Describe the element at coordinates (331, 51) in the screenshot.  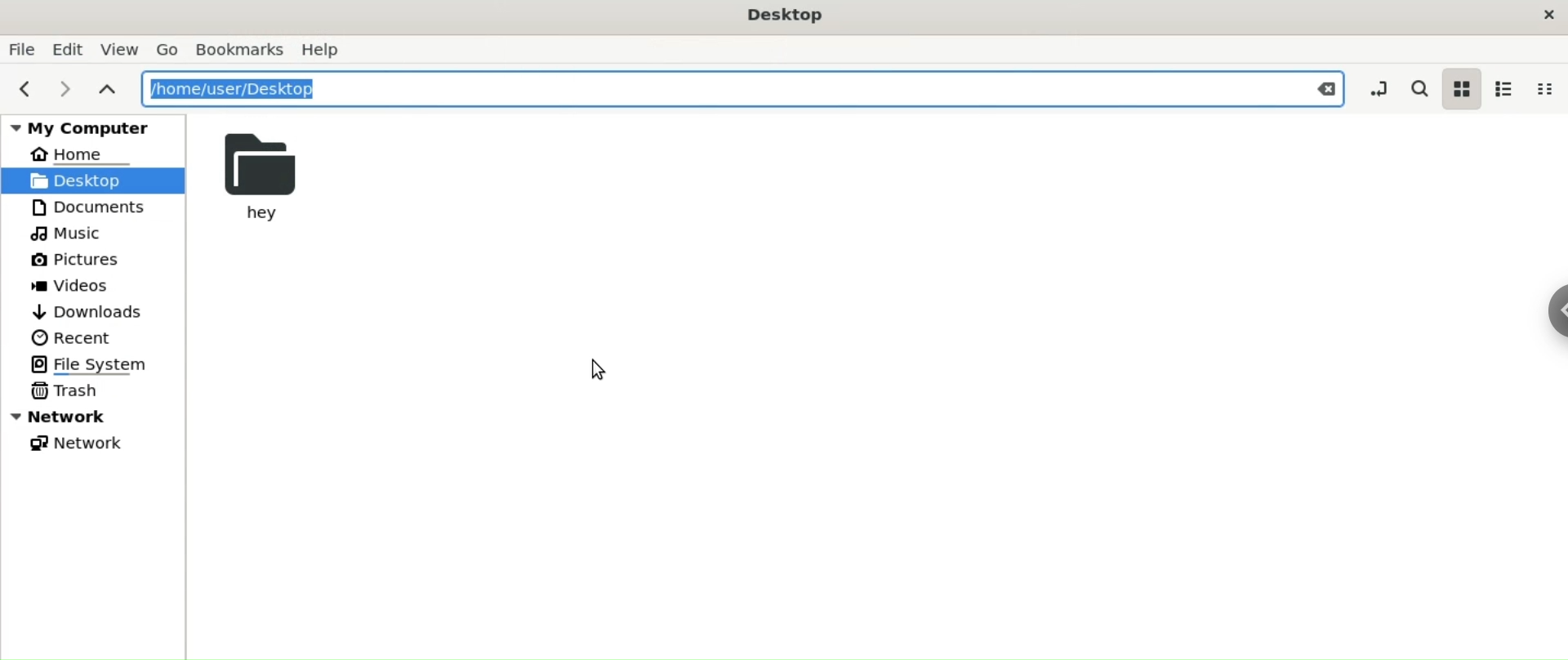
I see `Help` at that location.